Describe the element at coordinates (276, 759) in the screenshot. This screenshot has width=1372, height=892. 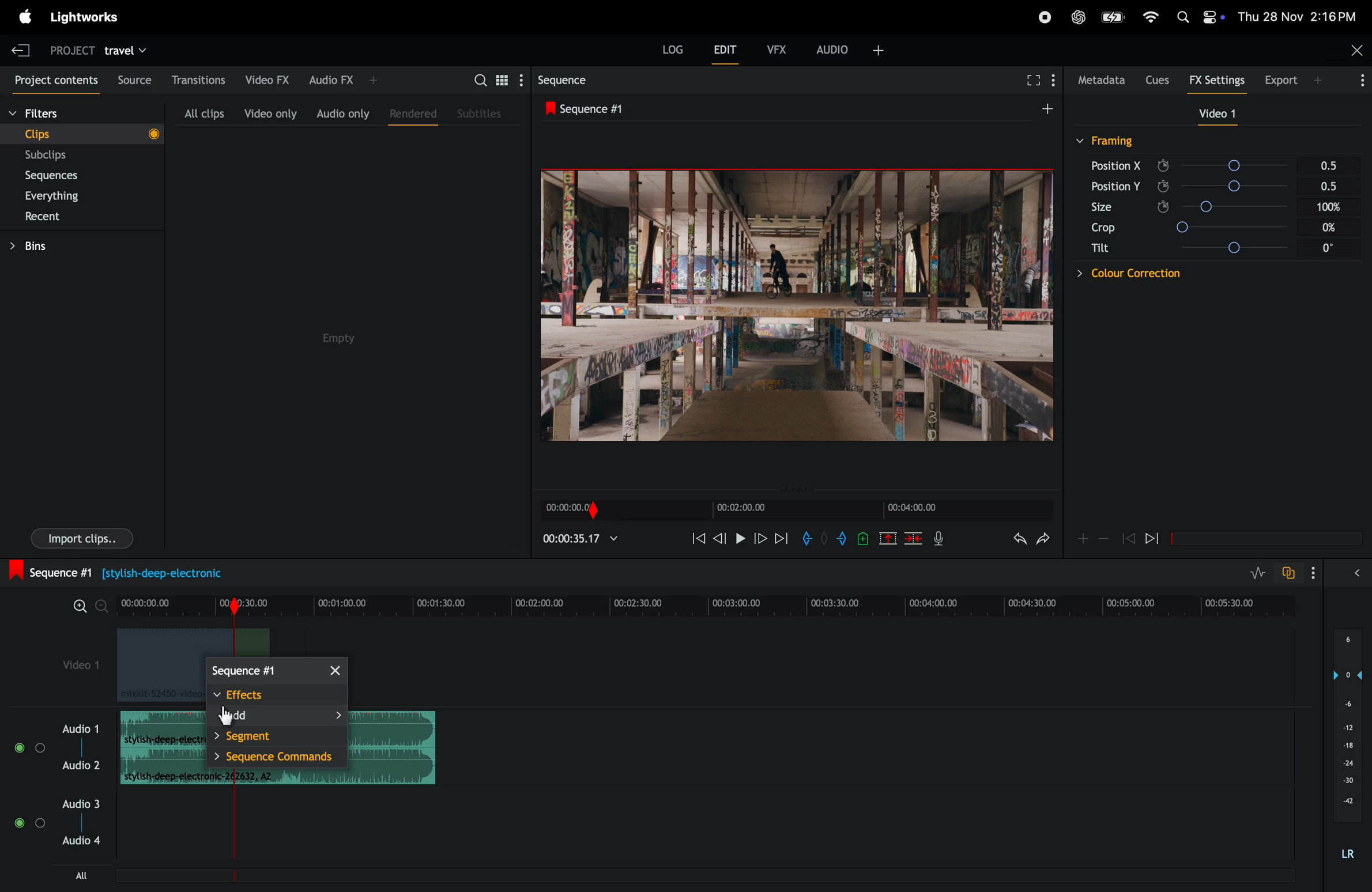
I see `sequence commands` at that location.